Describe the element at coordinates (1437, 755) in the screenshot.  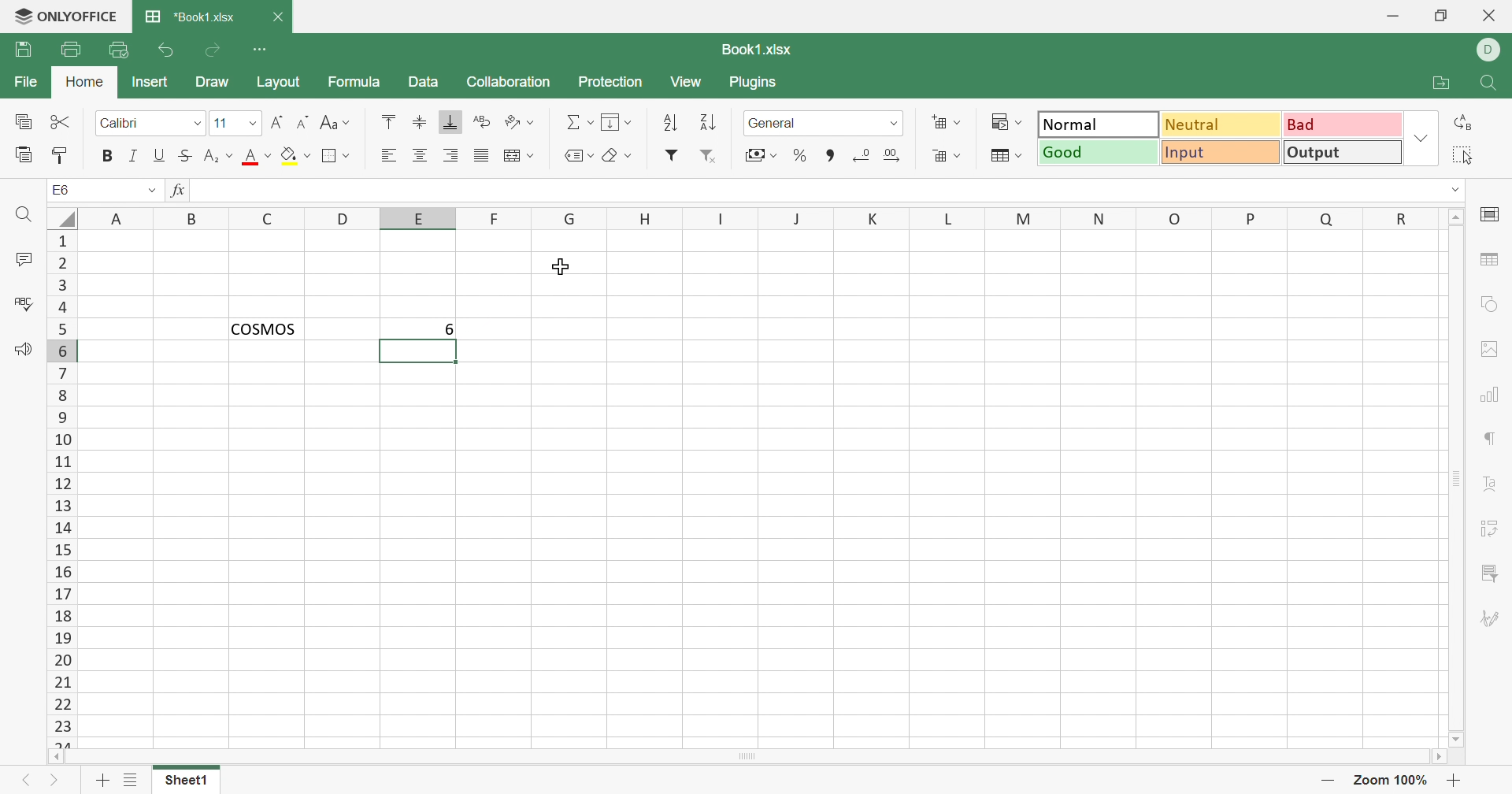
I see `Scroll right` at that location.